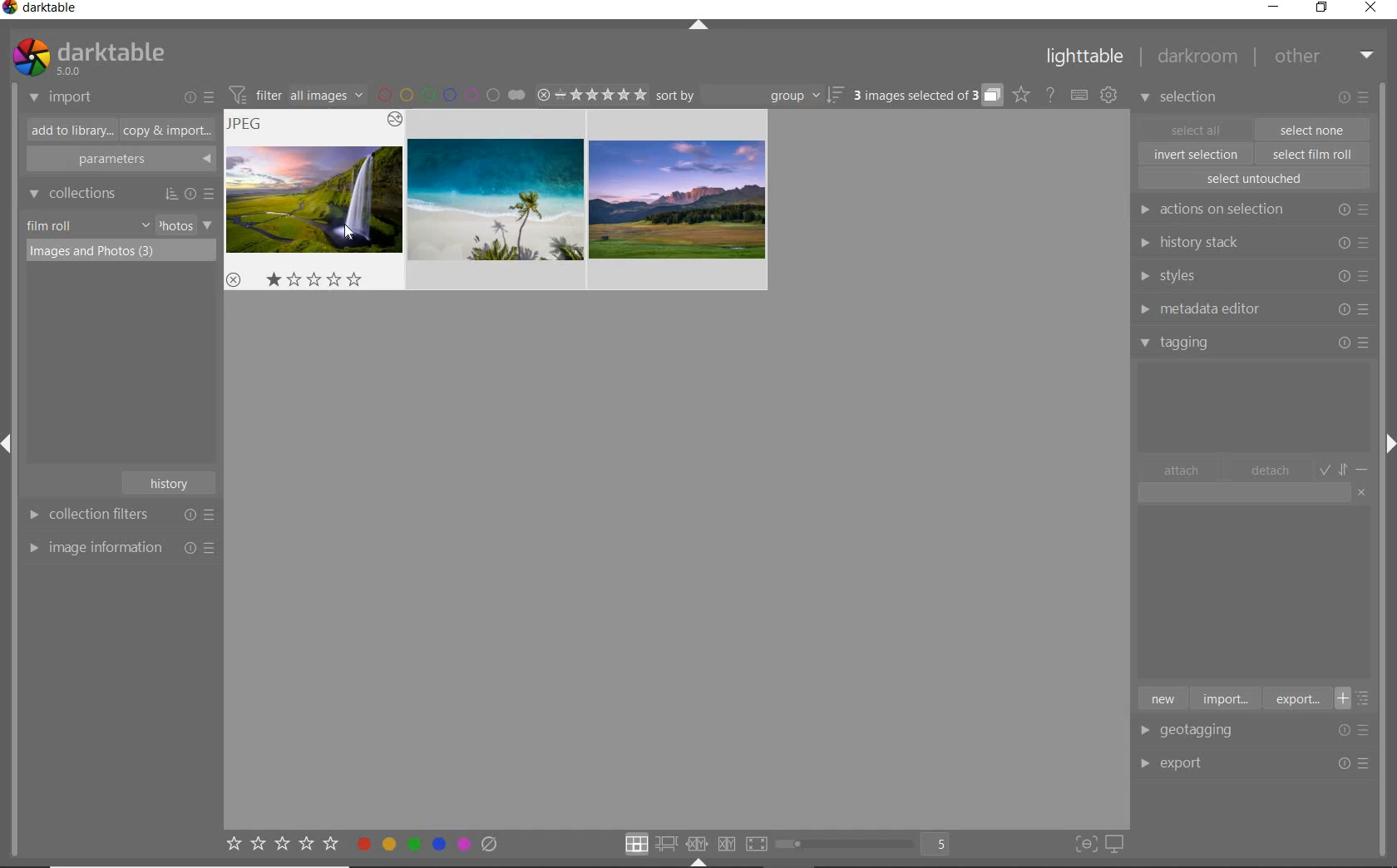  I want to click on import, so click(62, 98).